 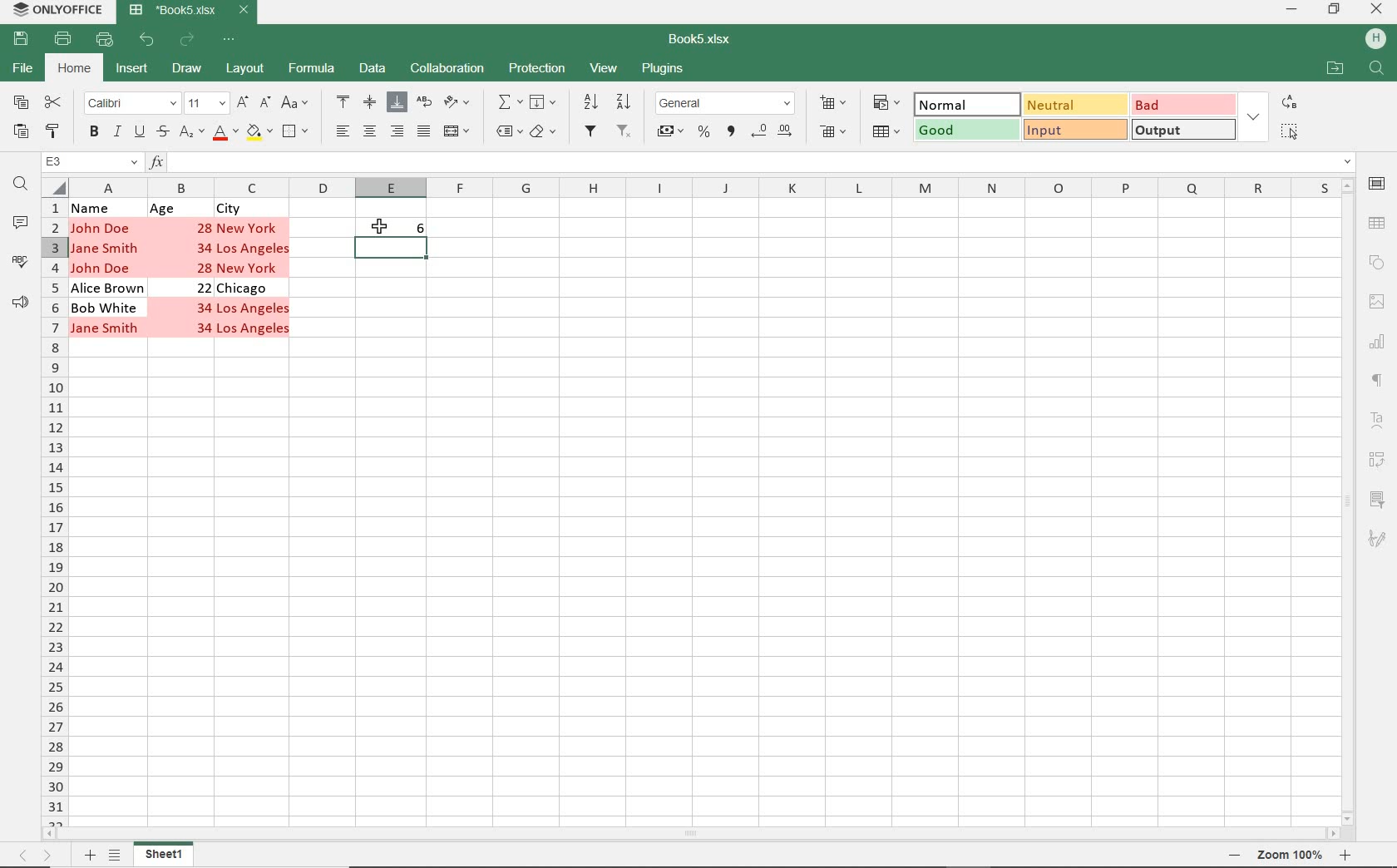 What do you see at coordinates (254, 309) in the screenshot?
I see `Los Angeles` at bounding box center [254, 309].